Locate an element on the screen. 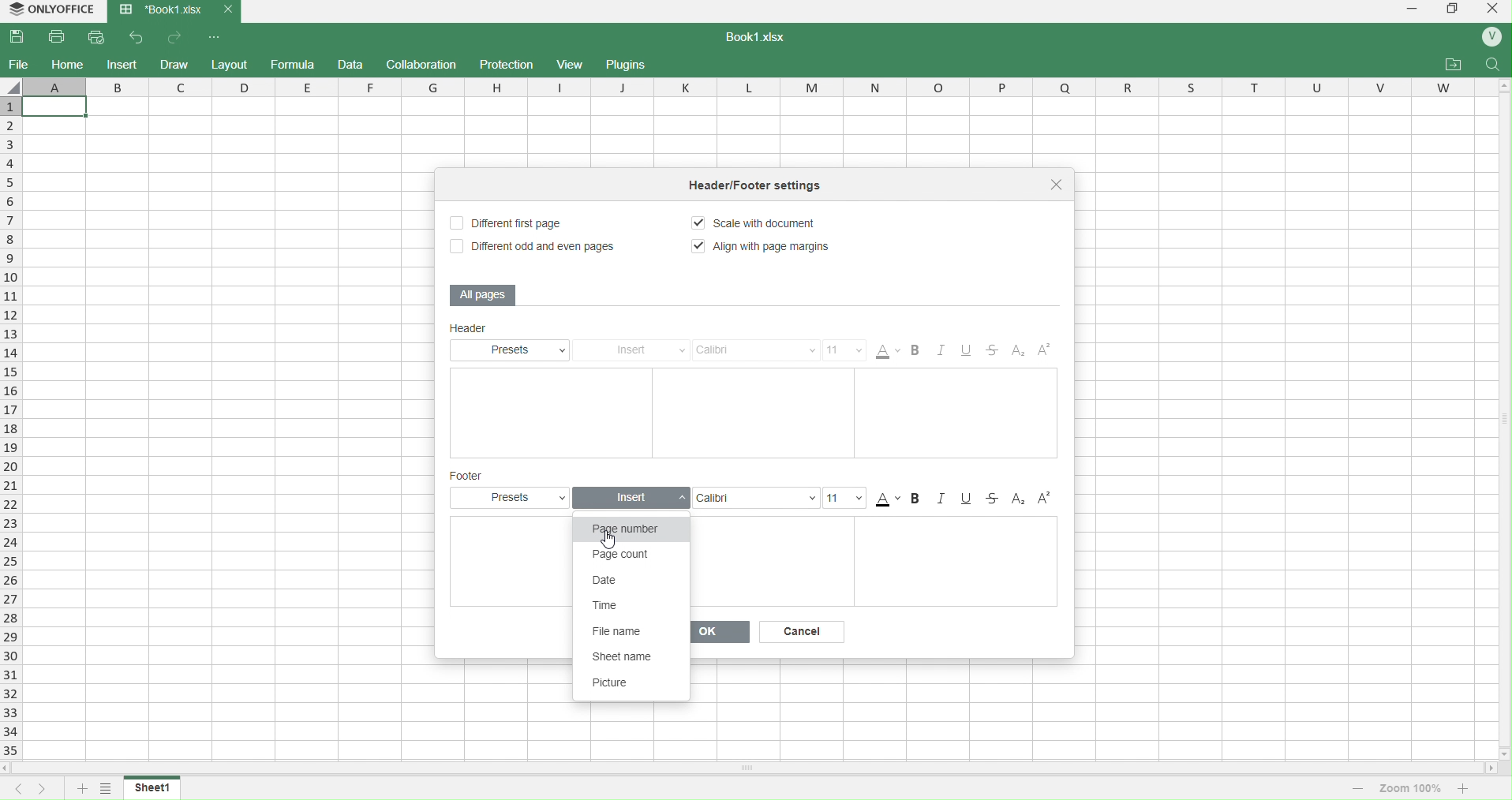 Image resolution: width=1512 pixels, height=800 pixels. Picture is located at coordinates (631, 684).